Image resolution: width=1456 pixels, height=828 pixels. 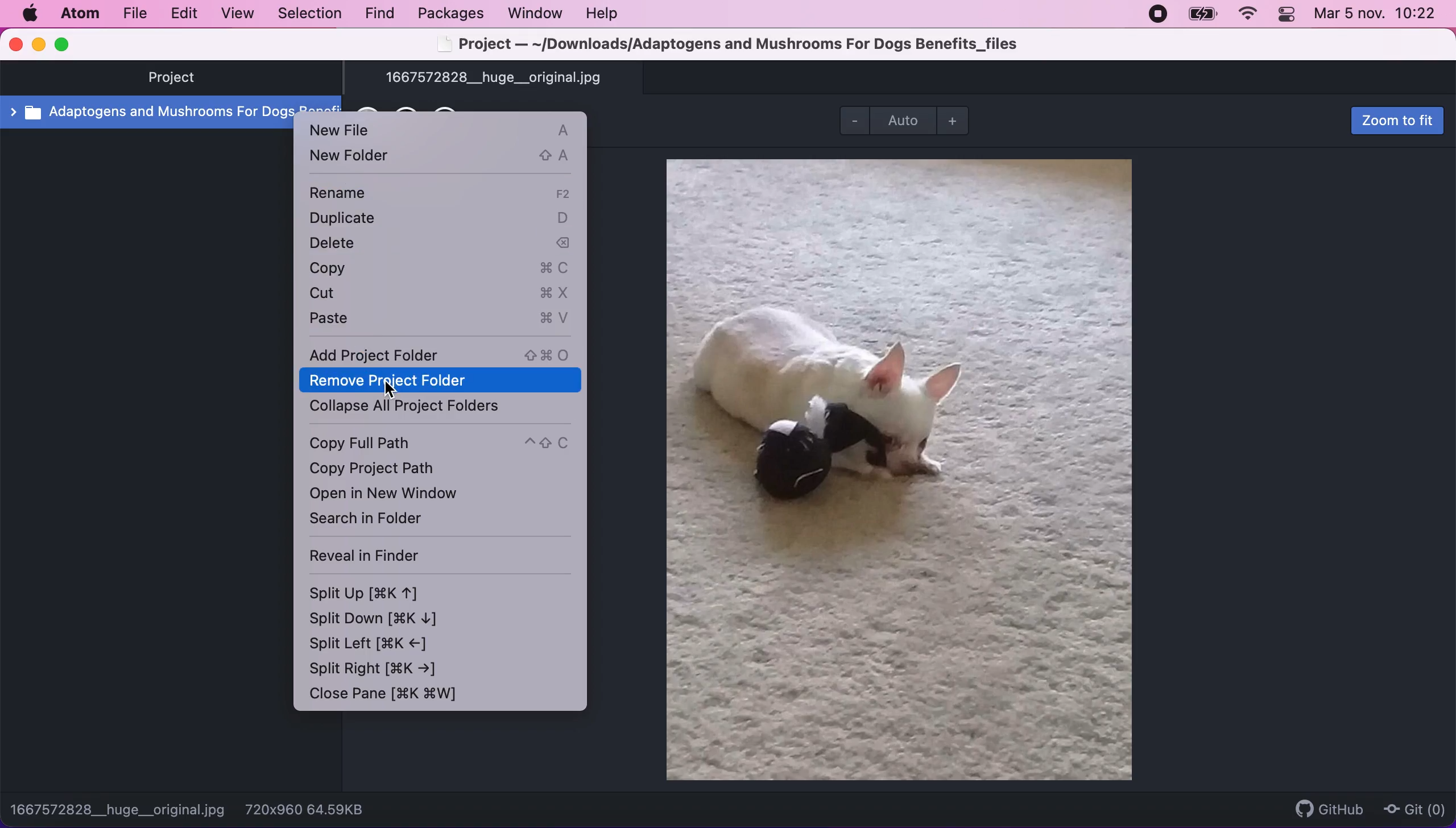 What do you see at coordinates (403, 470) in the screenshot?
I see `copy project path` at bounding box center [403, 470].